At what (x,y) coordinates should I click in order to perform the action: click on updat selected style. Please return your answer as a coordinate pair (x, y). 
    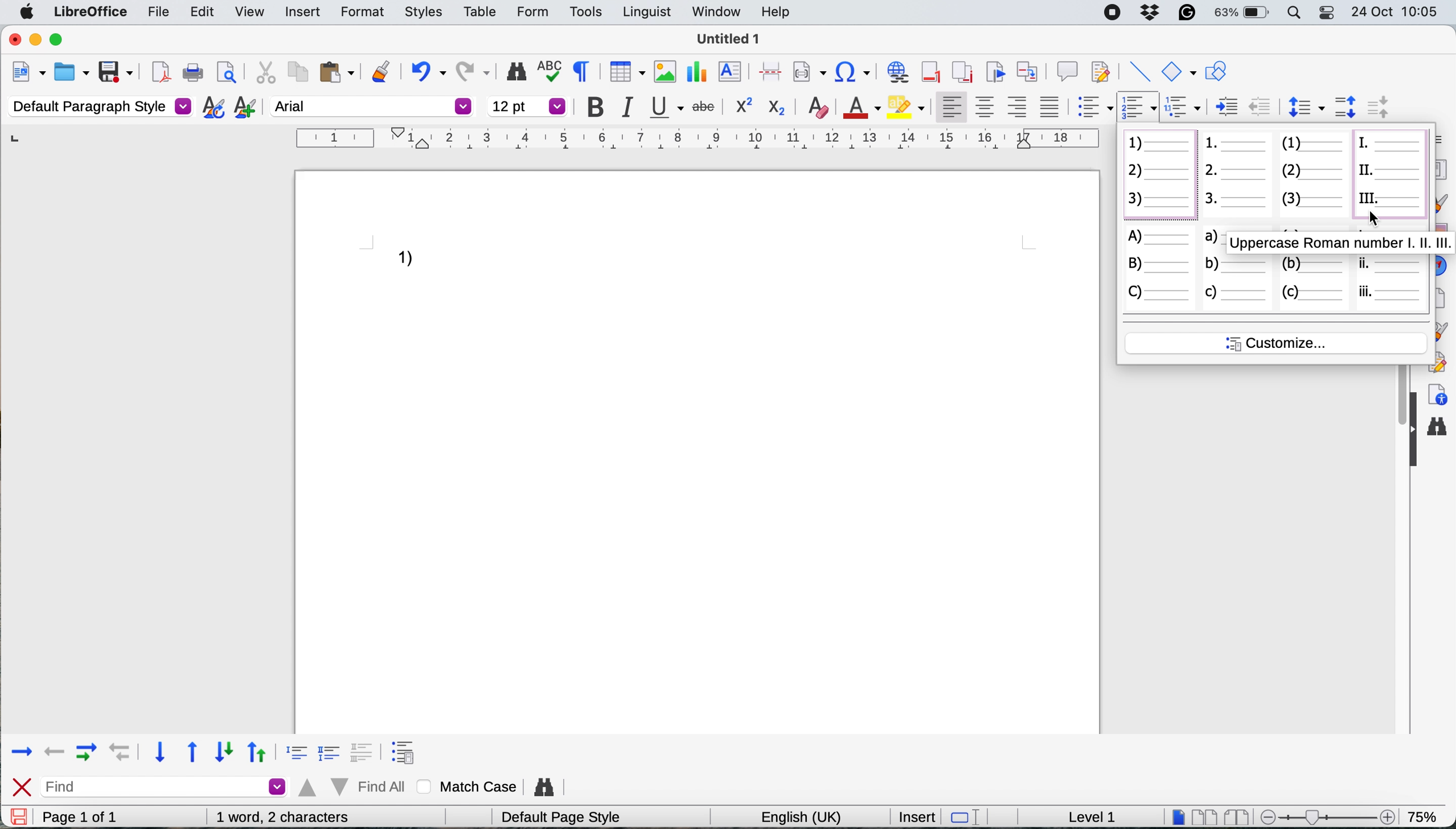
    Looking at the image, I should click on (212, 107).